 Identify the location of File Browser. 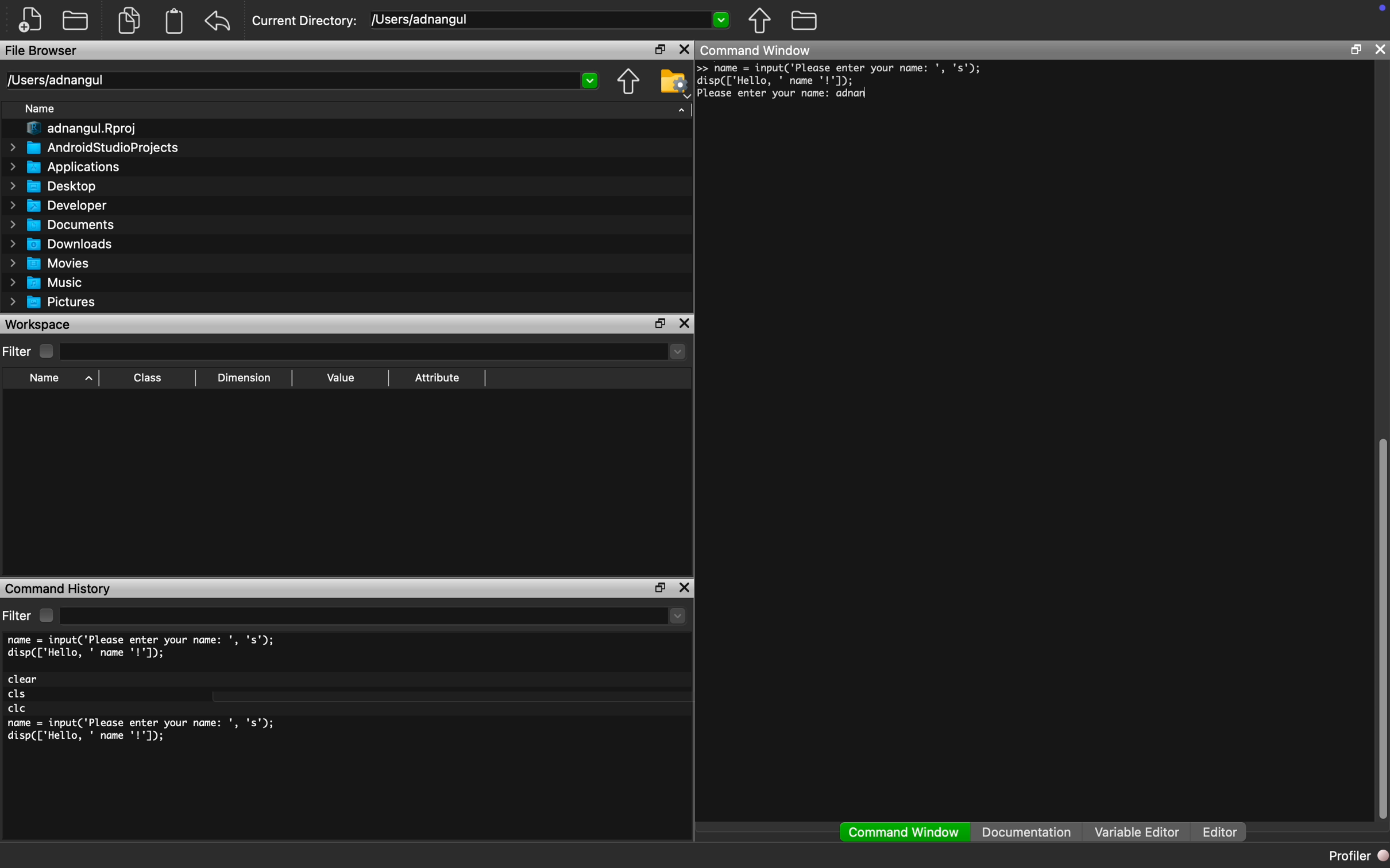
(42, 50).